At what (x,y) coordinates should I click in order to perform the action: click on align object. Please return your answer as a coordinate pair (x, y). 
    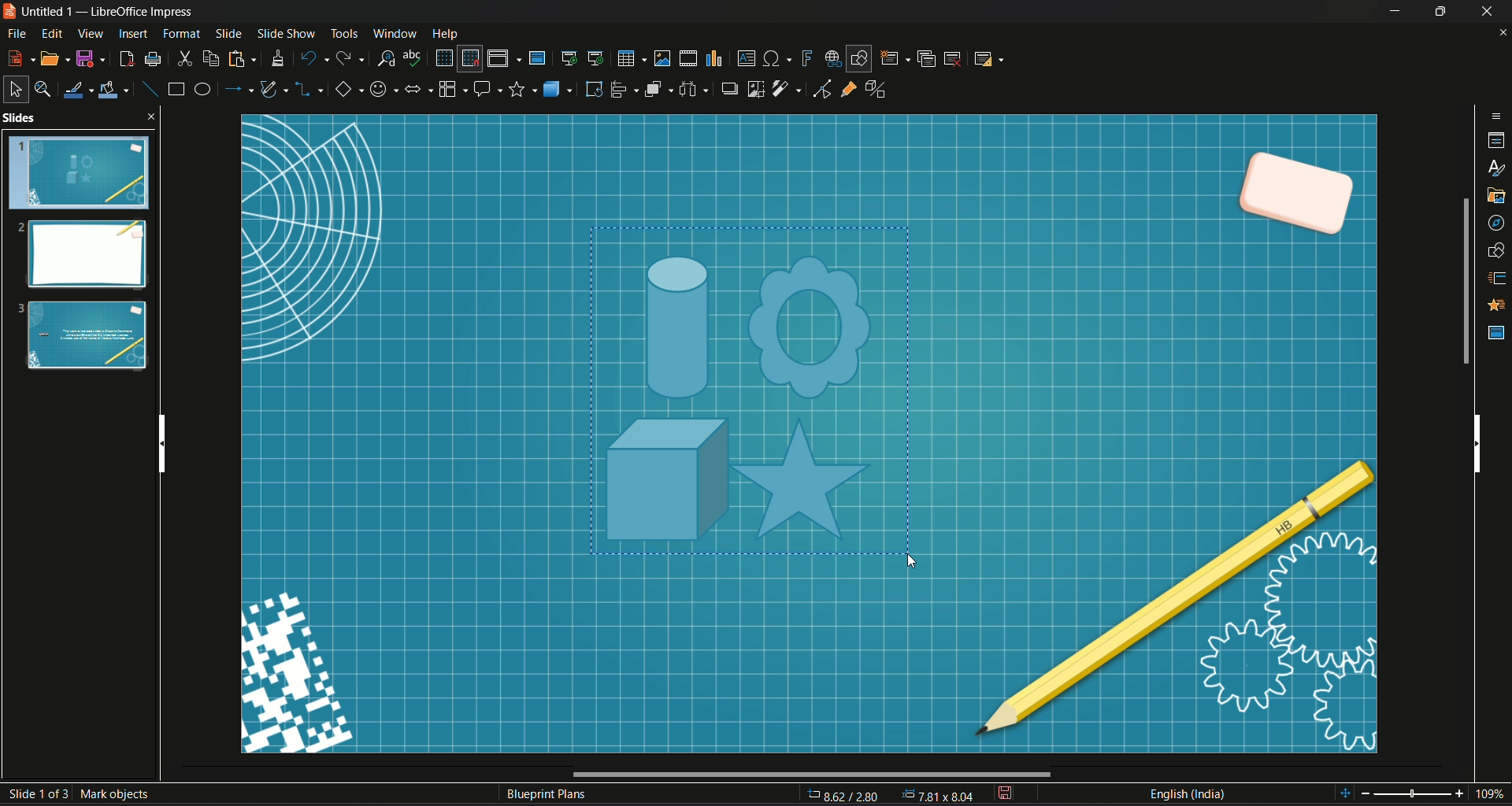
    Looking at the image, I should click on (624, 89).